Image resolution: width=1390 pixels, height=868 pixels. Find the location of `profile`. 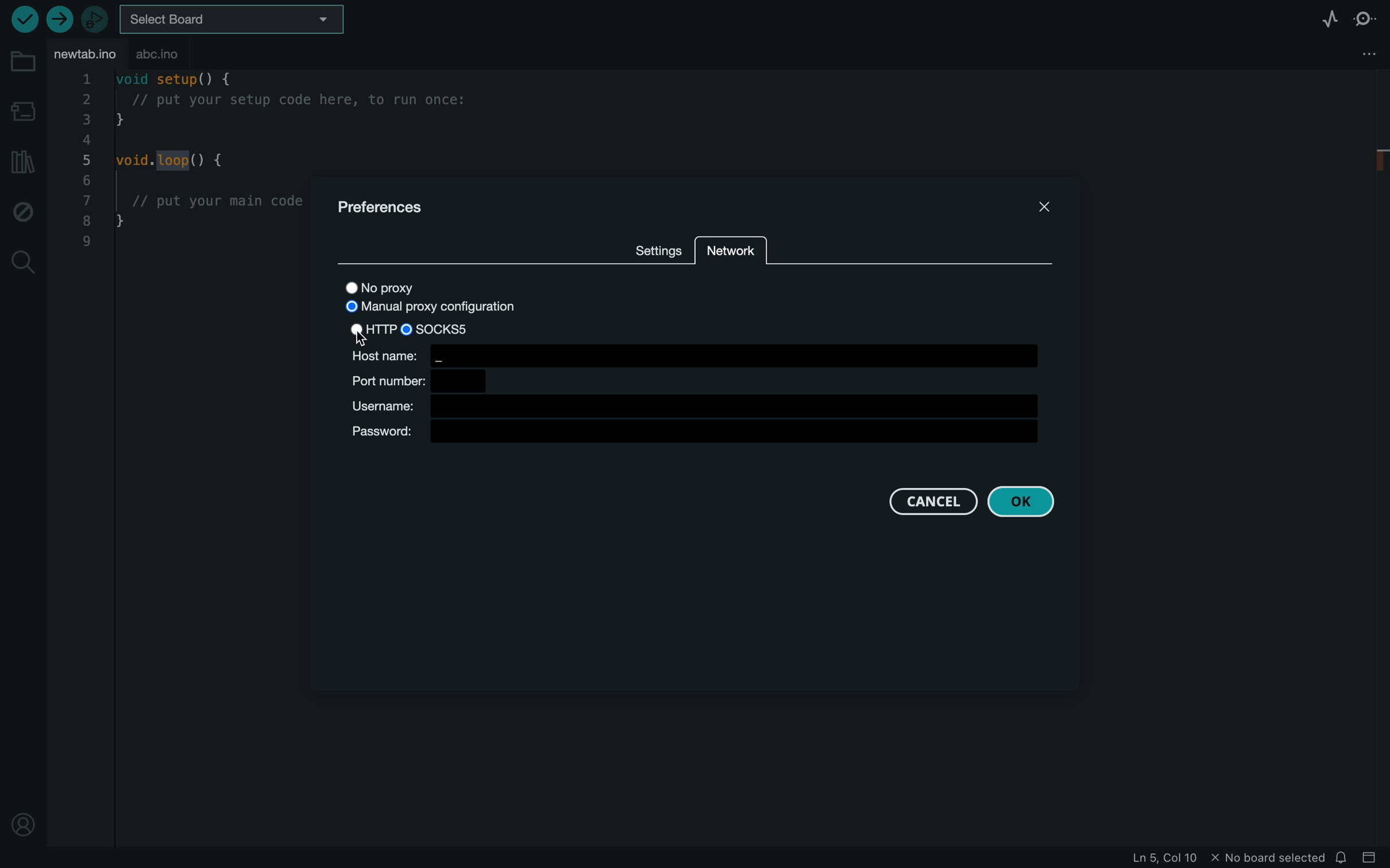

profile is located at coordinates (23, 822).